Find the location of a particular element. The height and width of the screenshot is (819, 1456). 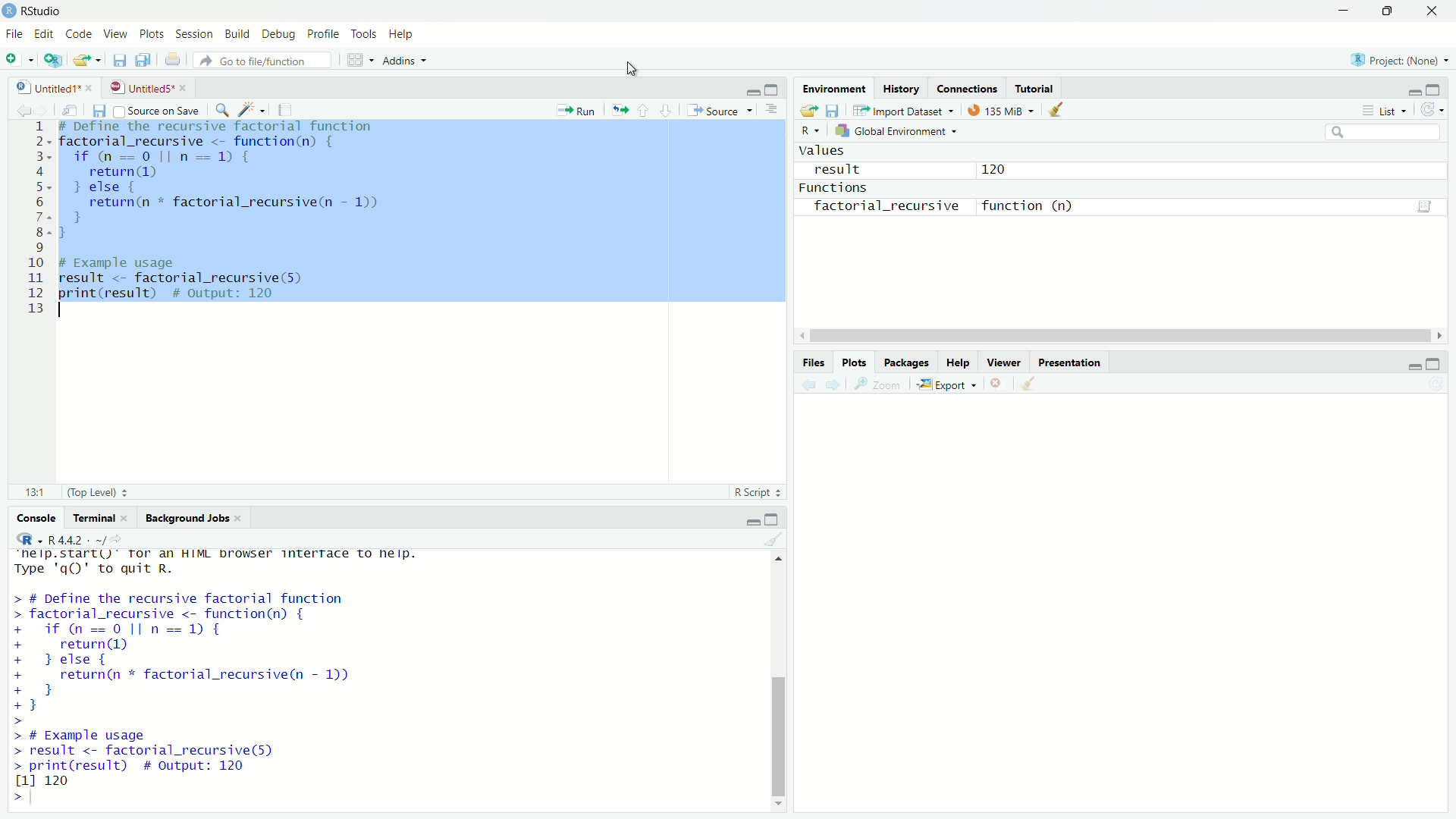

Find/Replace is located at coordinates (224, 108).